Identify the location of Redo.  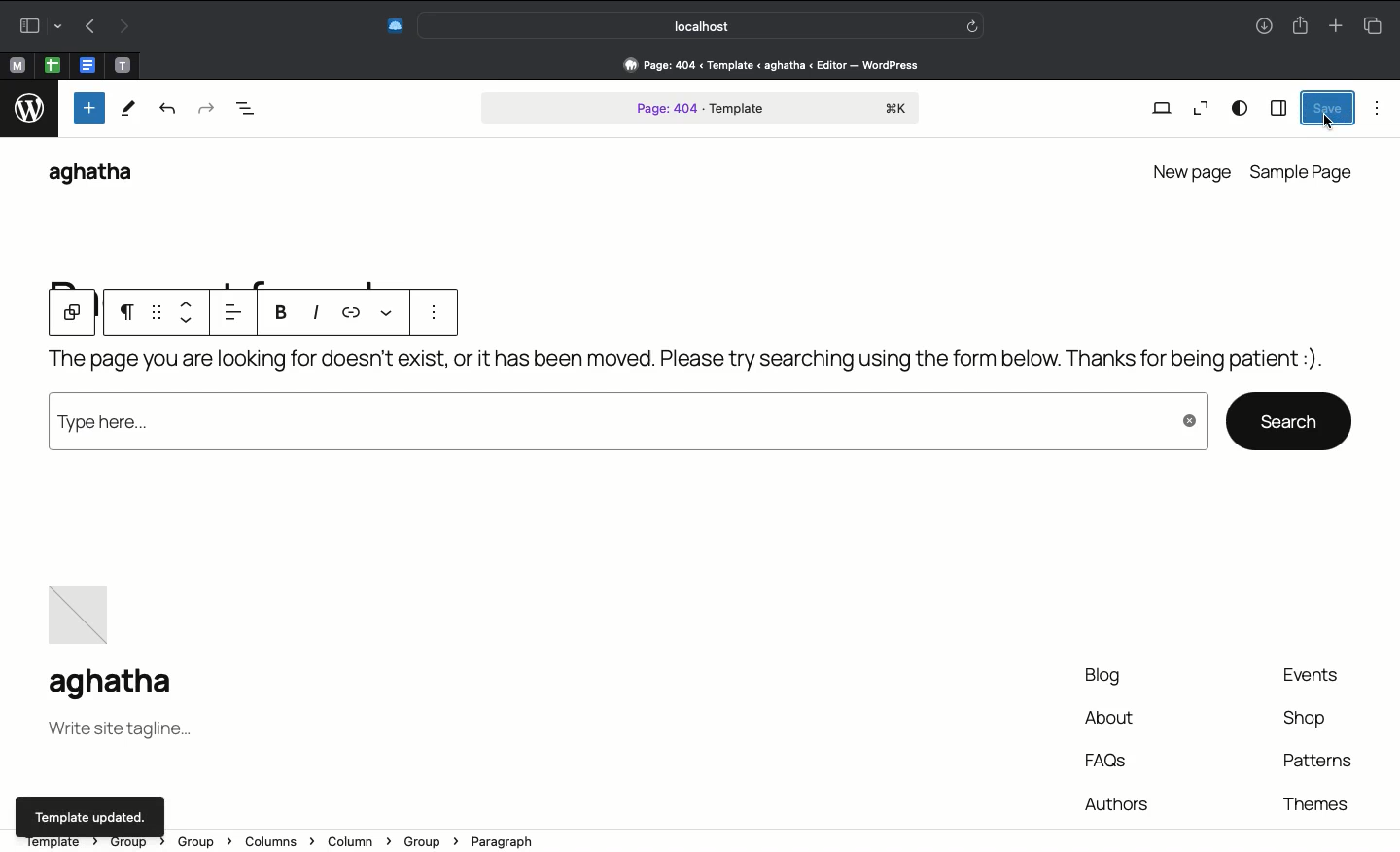
(205, 110).